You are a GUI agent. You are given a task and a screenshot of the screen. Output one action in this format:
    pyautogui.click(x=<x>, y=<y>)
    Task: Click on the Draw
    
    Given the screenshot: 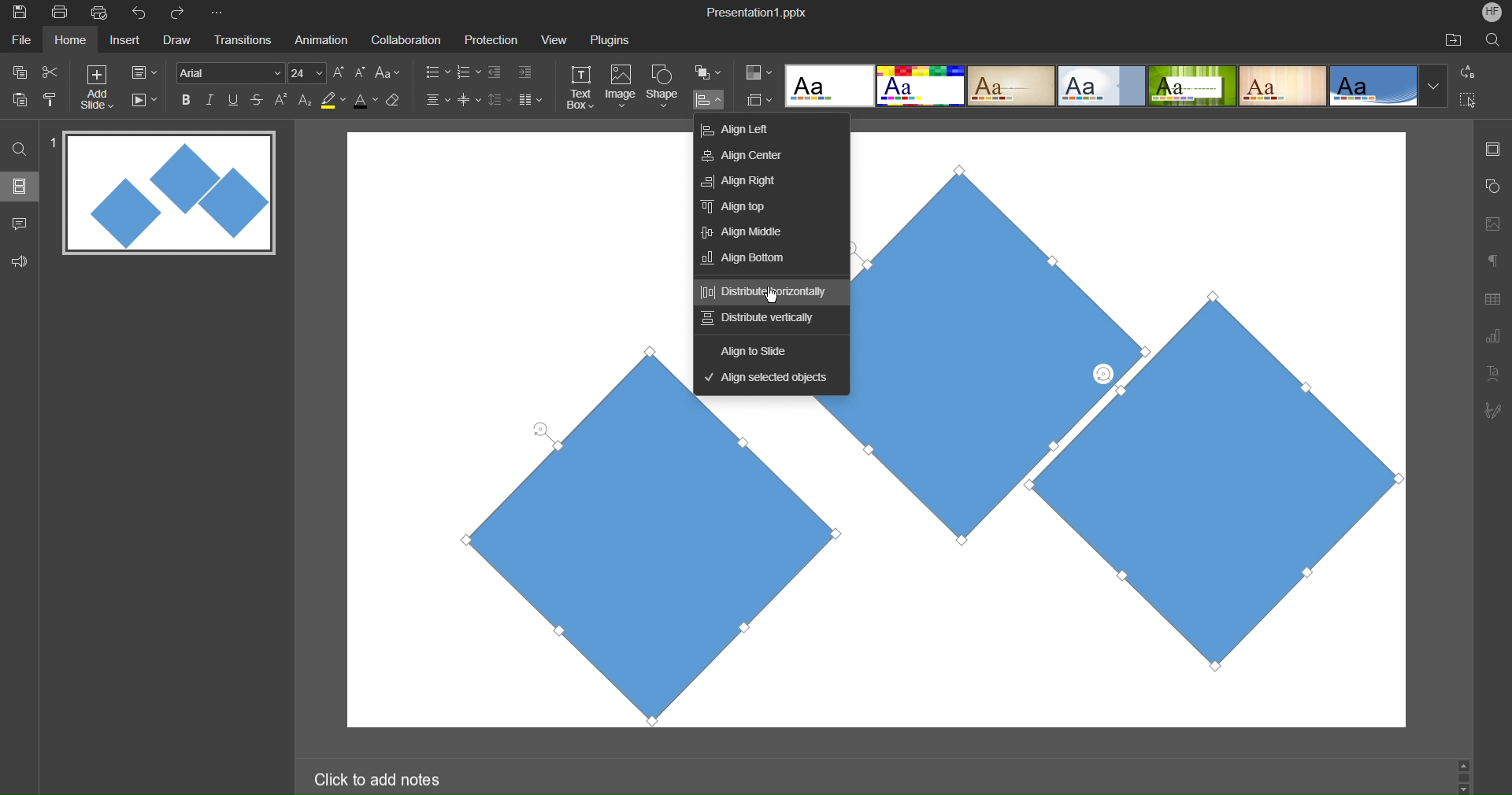 What is the action you would take?
    pyautogui.click(x=176, y=41)
    